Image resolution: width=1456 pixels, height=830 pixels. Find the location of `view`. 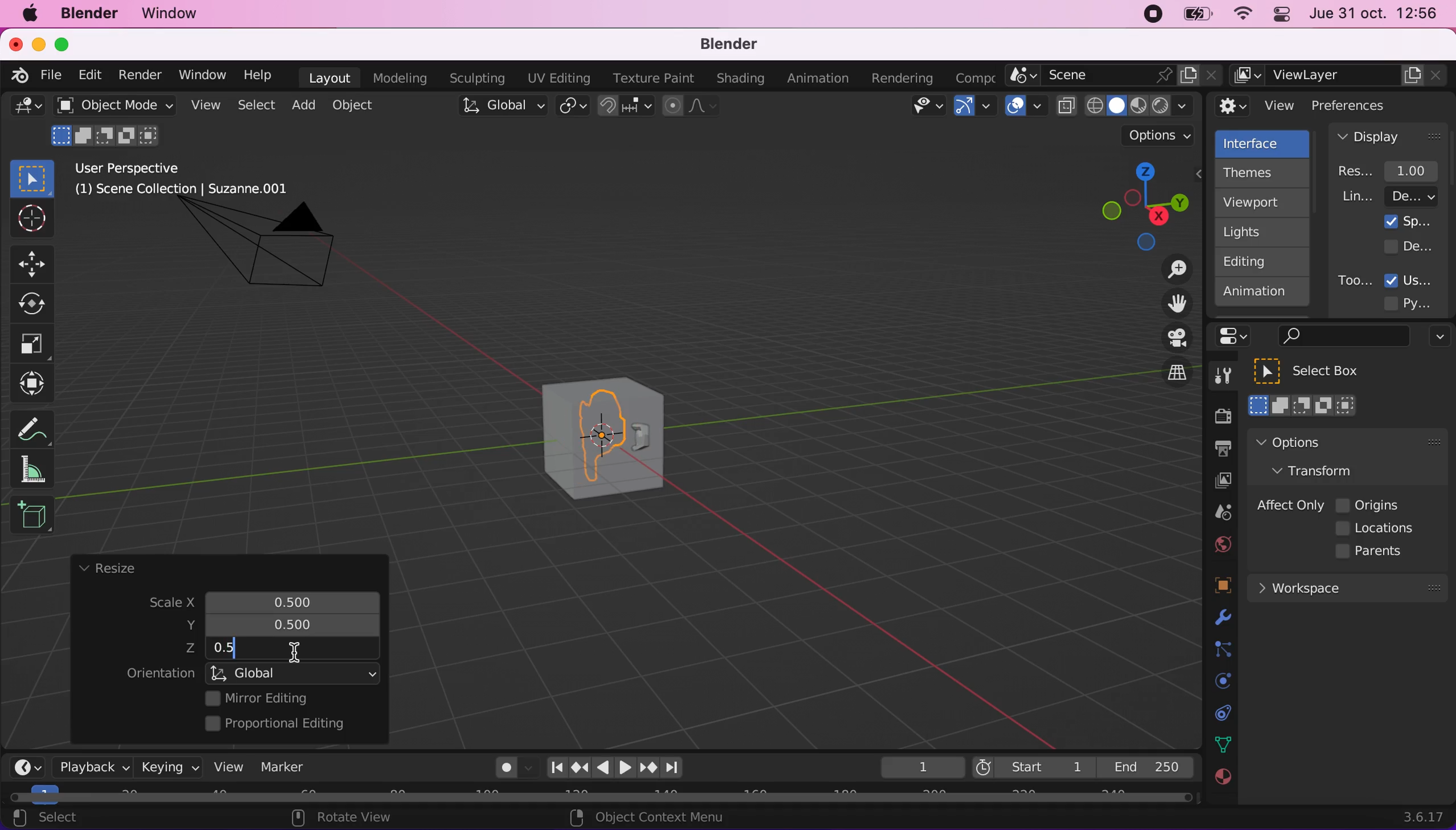

view is located at coordinates (203, 105).